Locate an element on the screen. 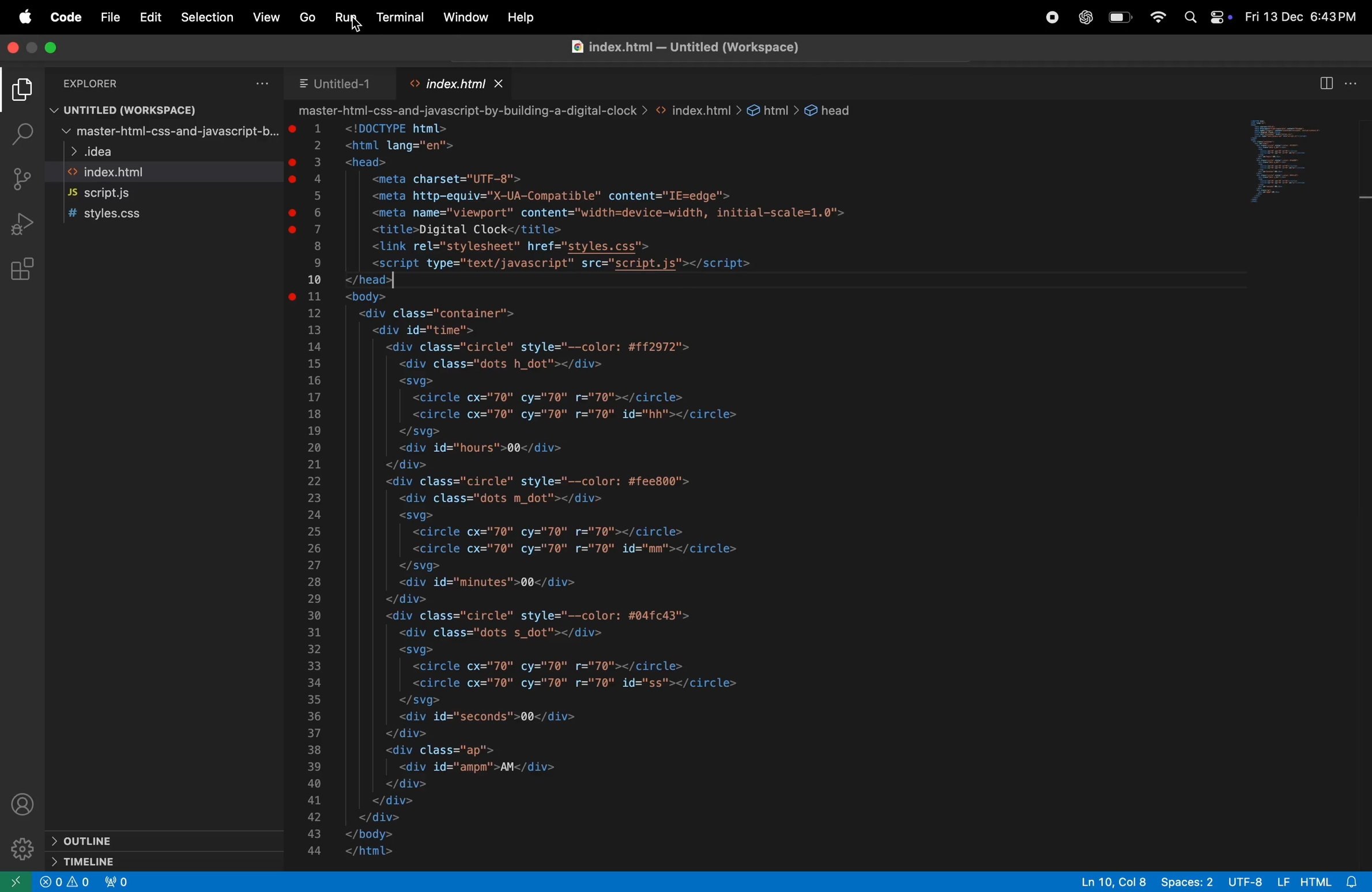 The image size is (1372, 892). chatgpt is located at coordinates (1087, 18).